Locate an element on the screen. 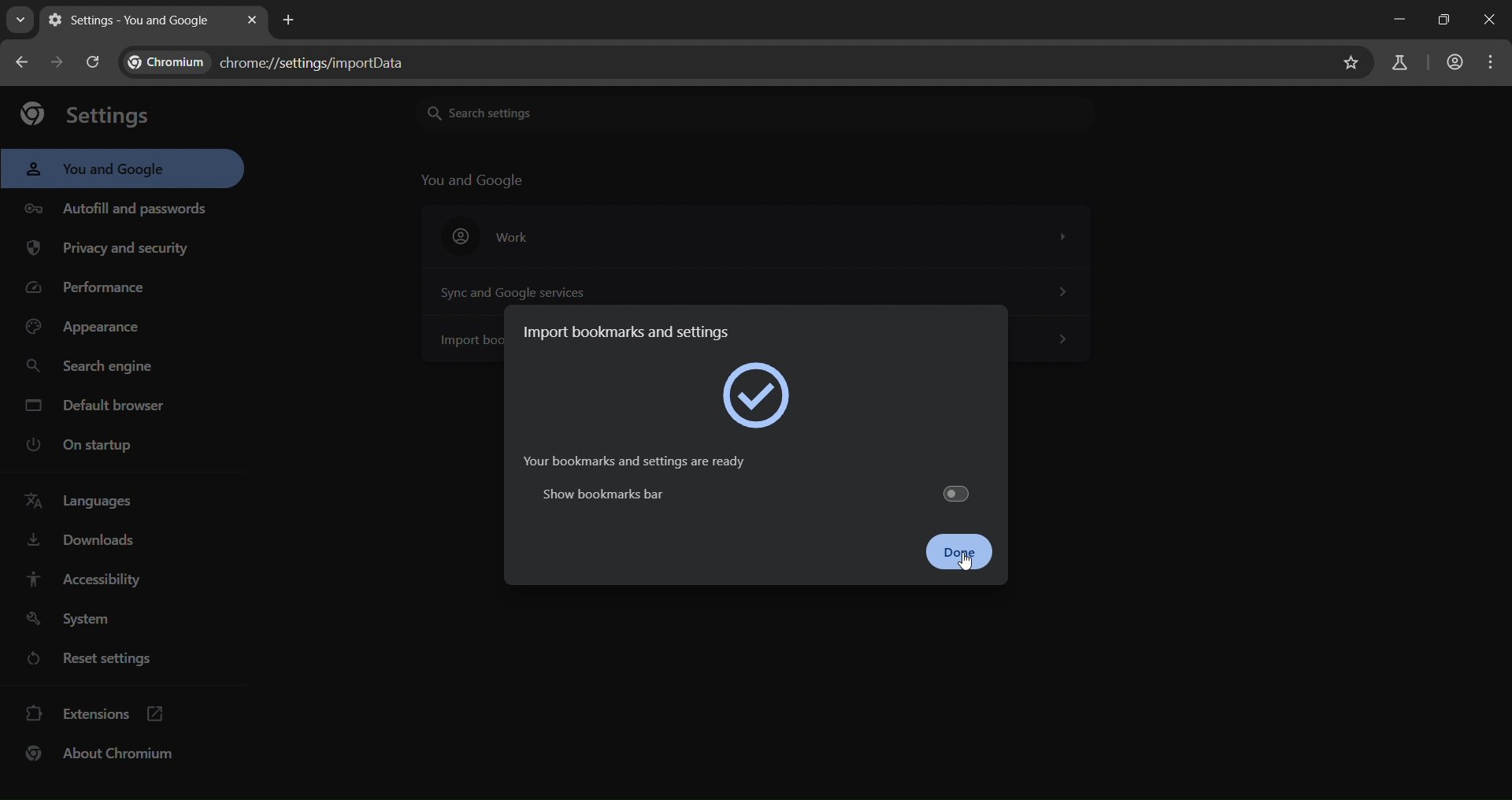 This screenshot has width=1512, height=800. downloads is located at coordinates (85, 543).